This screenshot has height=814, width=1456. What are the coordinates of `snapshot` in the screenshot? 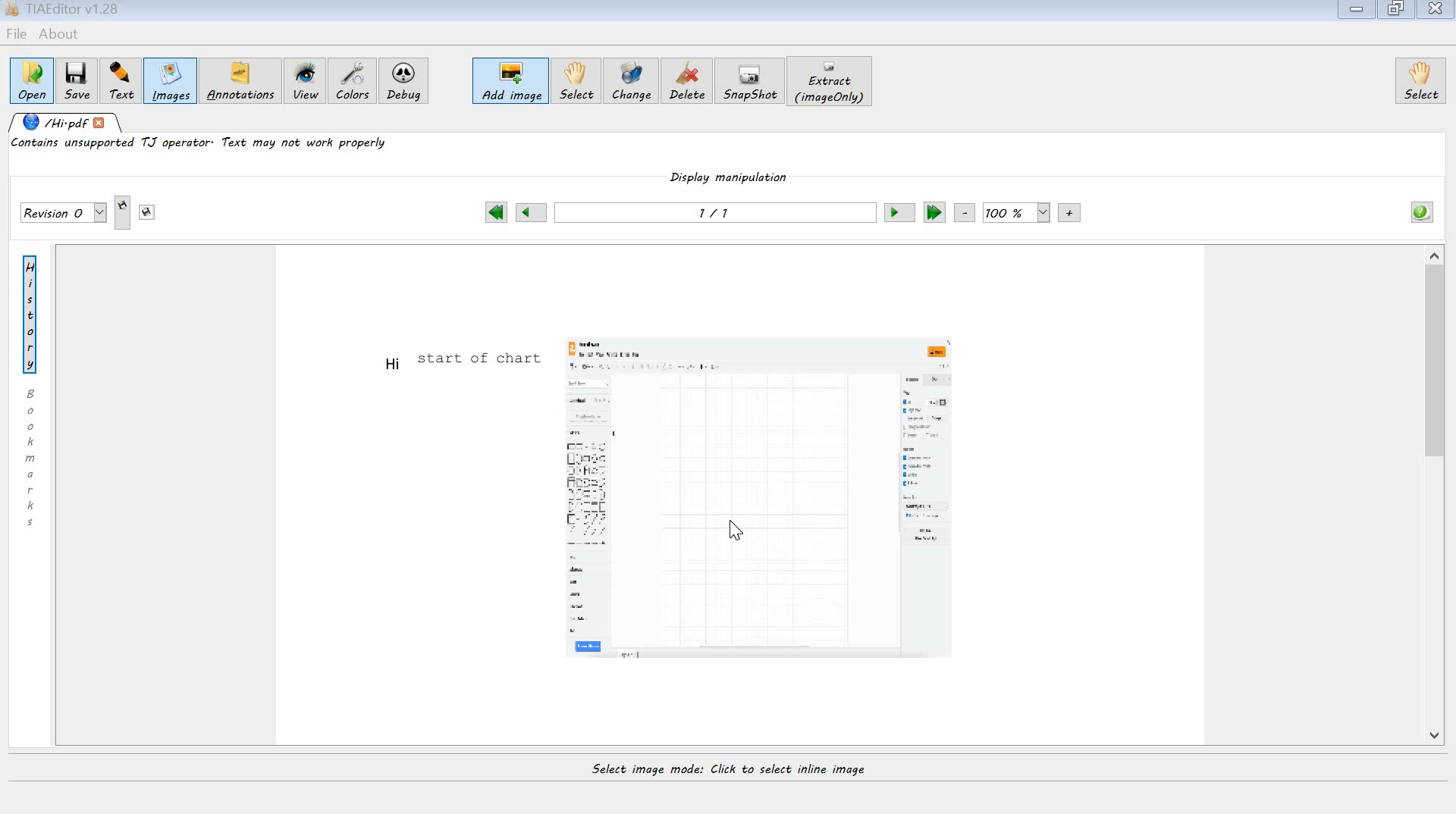 It's located at (752, 81).